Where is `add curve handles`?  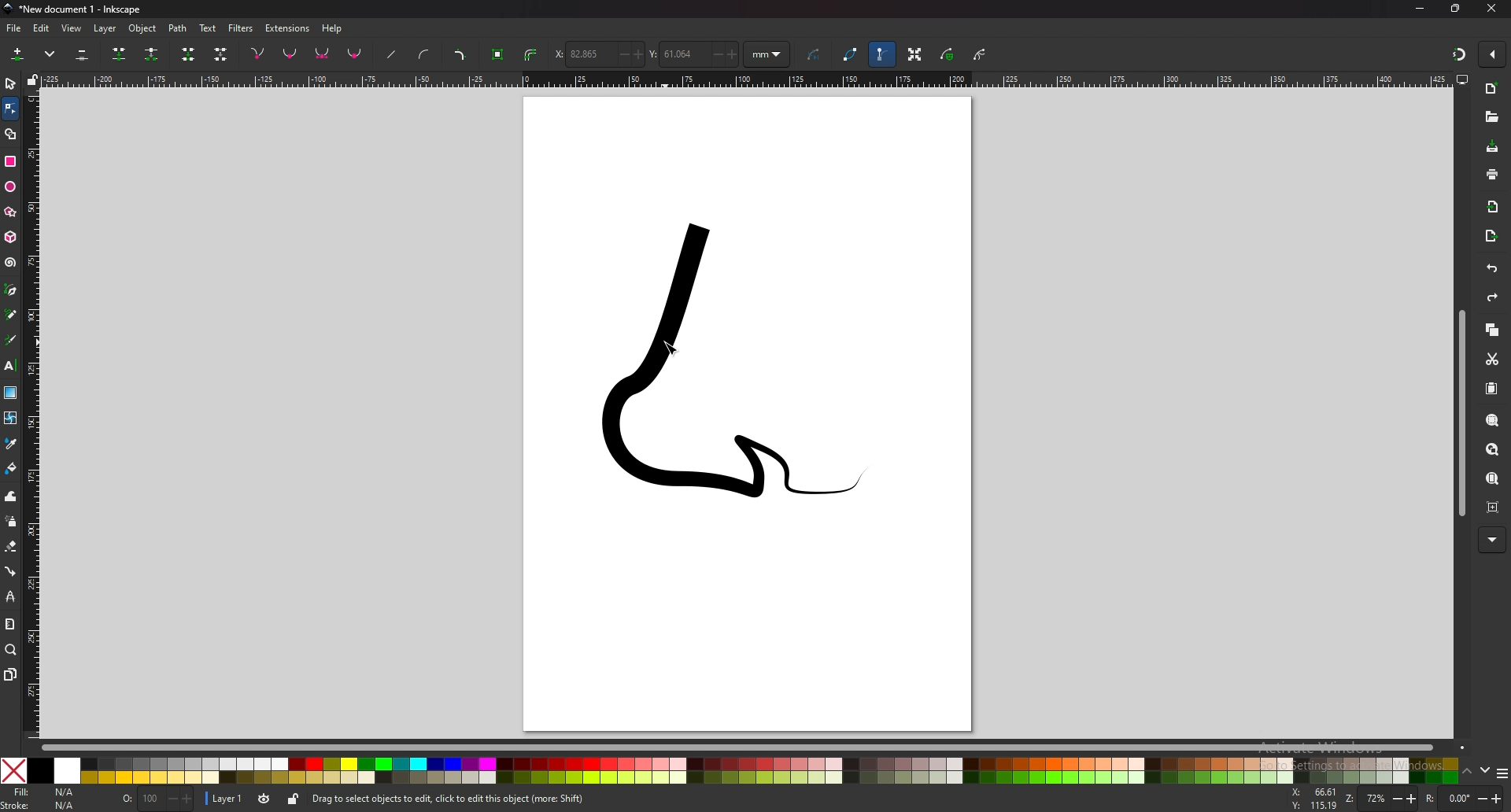 add curve handles is located at coordinates (423, 54).